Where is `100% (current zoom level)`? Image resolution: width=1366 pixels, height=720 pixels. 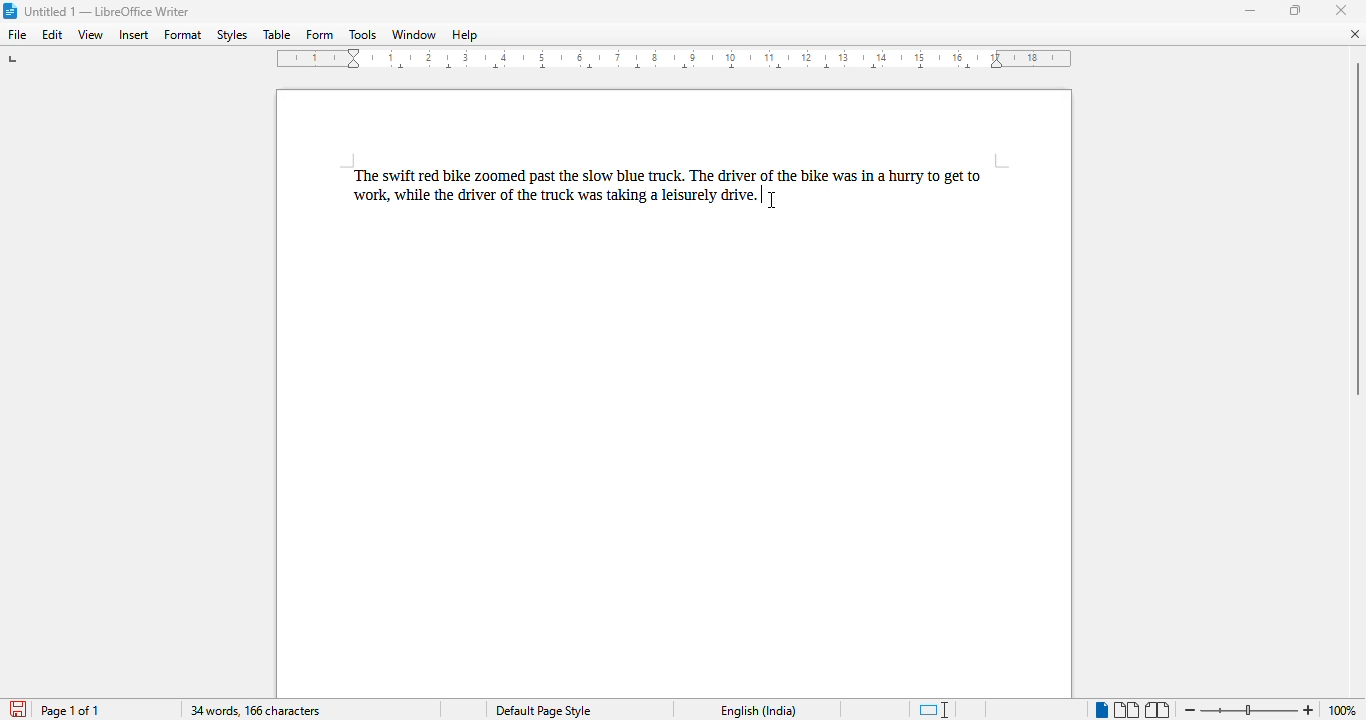
100% (current zoom level) is located at coordinates (1345, 710).